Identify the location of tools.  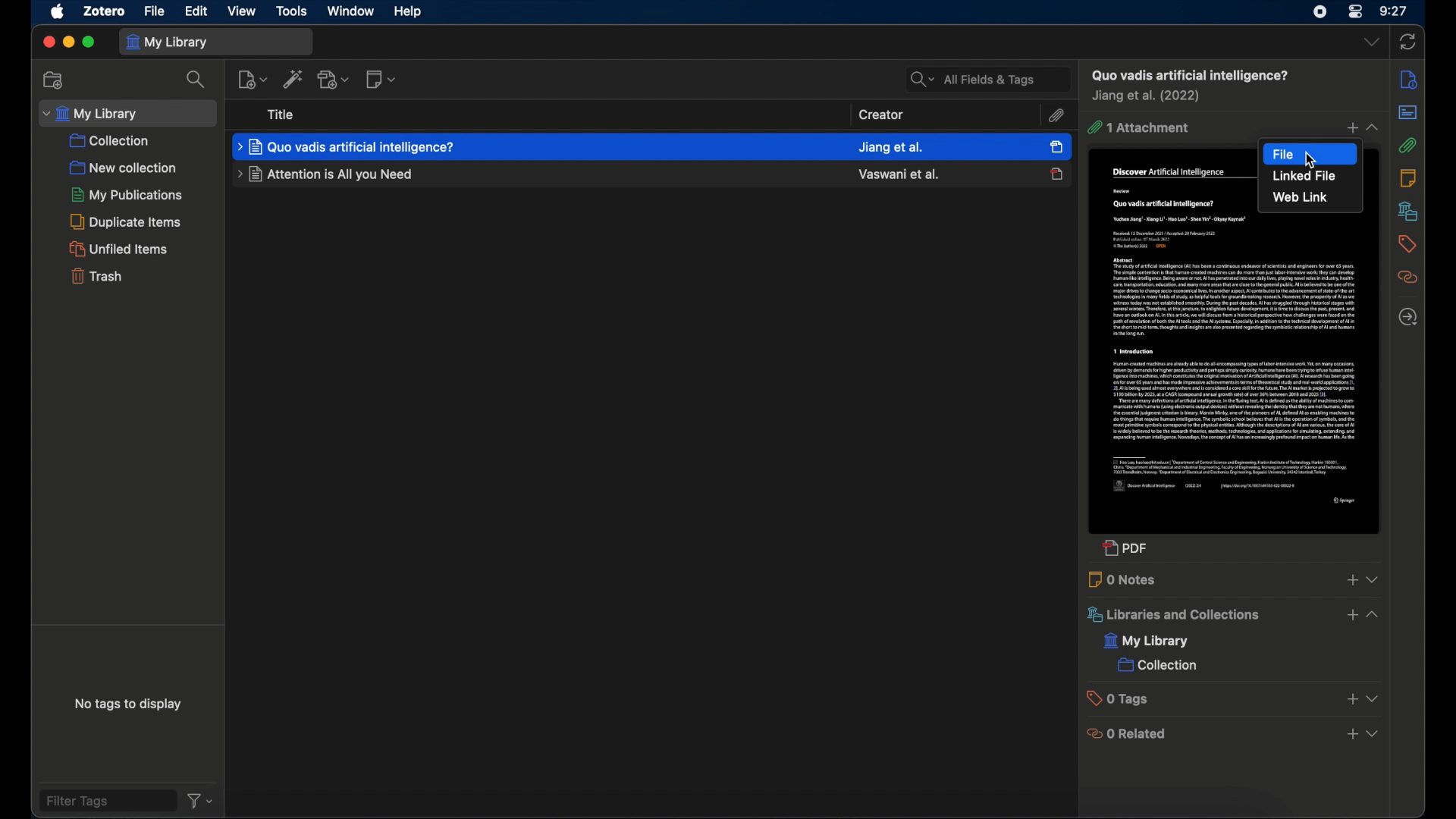
(293, 11).